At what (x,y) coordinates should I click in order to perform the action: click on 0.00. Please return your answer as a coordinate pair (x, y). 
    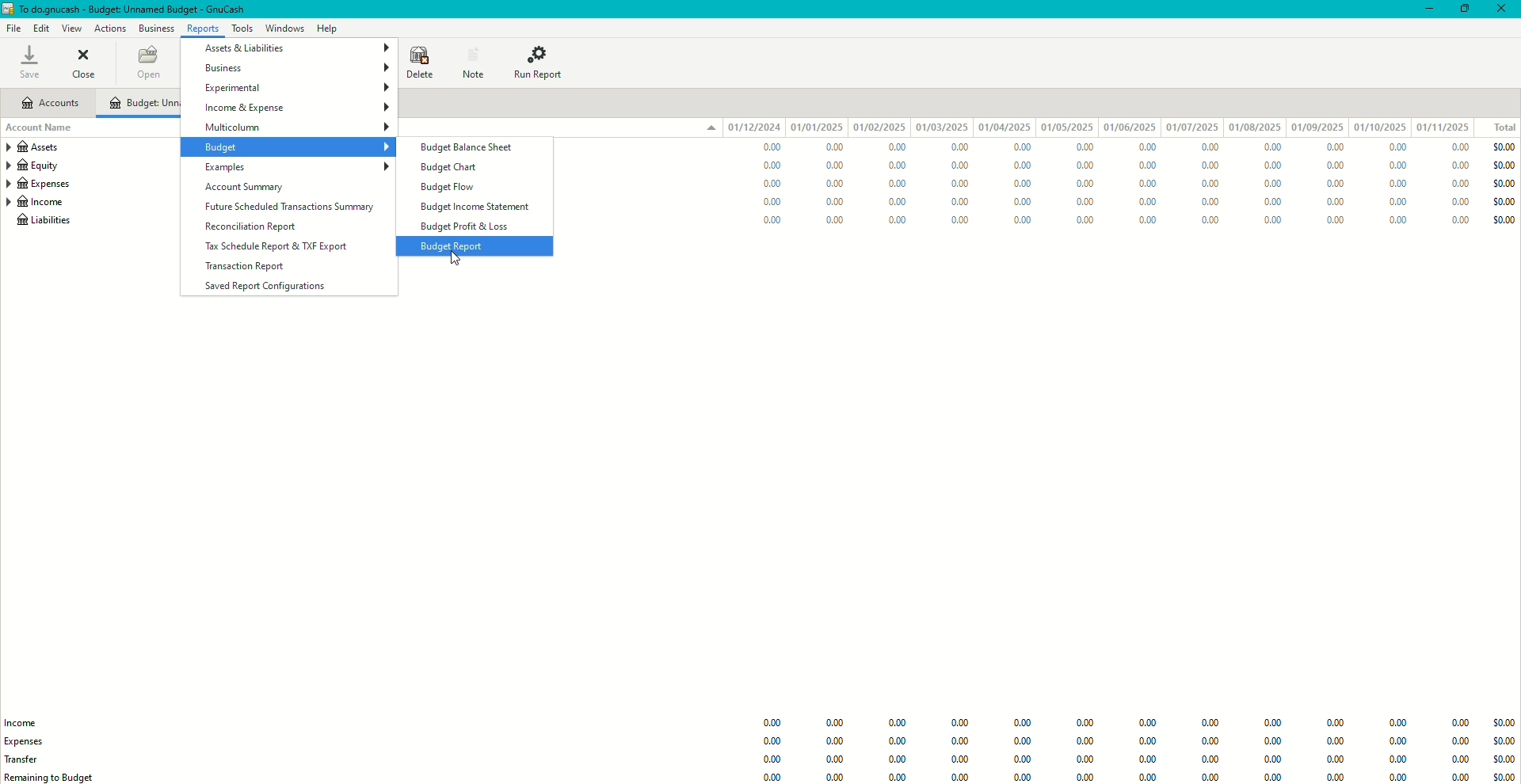
    Looking at the image, I should click on (1149, 182).